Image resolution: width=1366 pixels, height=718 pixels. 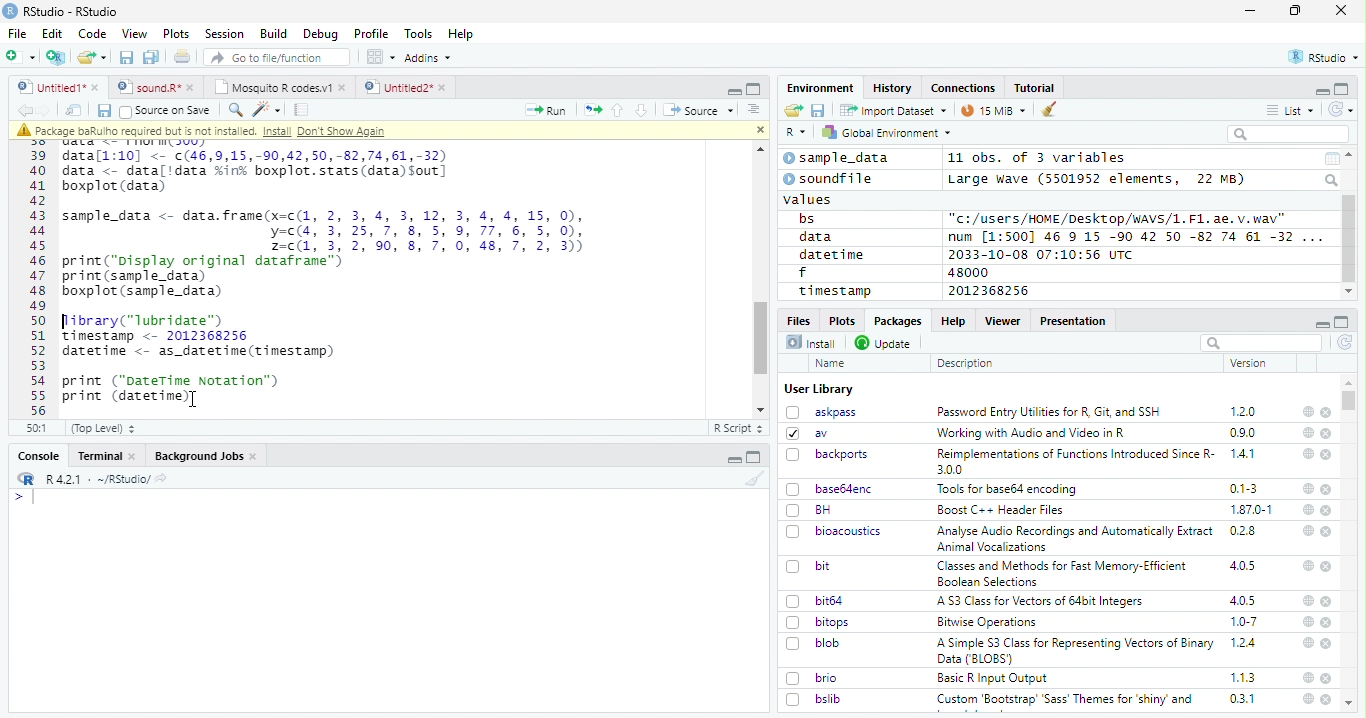 What do you see at coordinates (1326, 413) in the screenshot?
I see `close` at bounding box center [1326, 413].